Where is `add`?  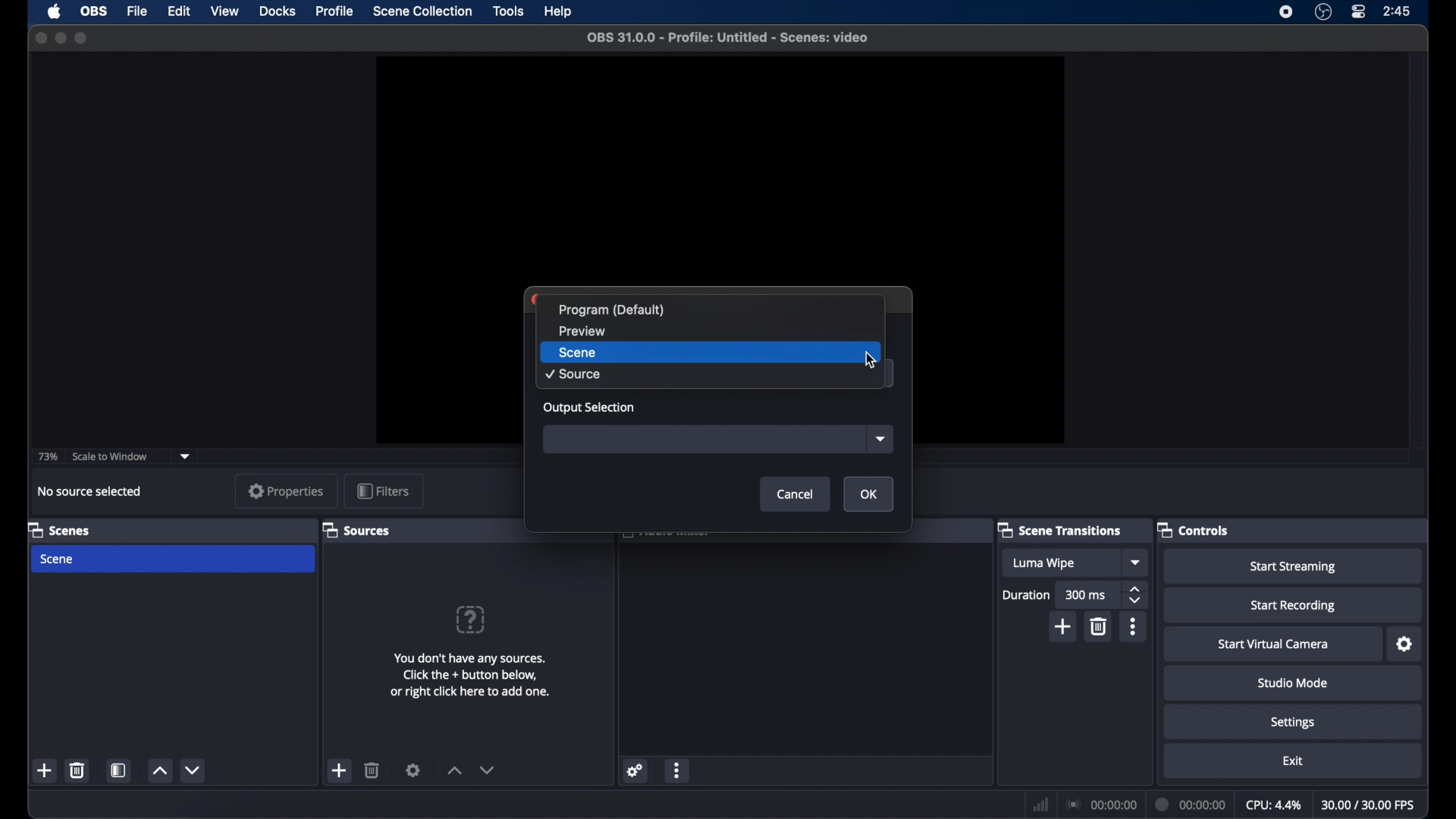 add is located at coordinates (340, 770).